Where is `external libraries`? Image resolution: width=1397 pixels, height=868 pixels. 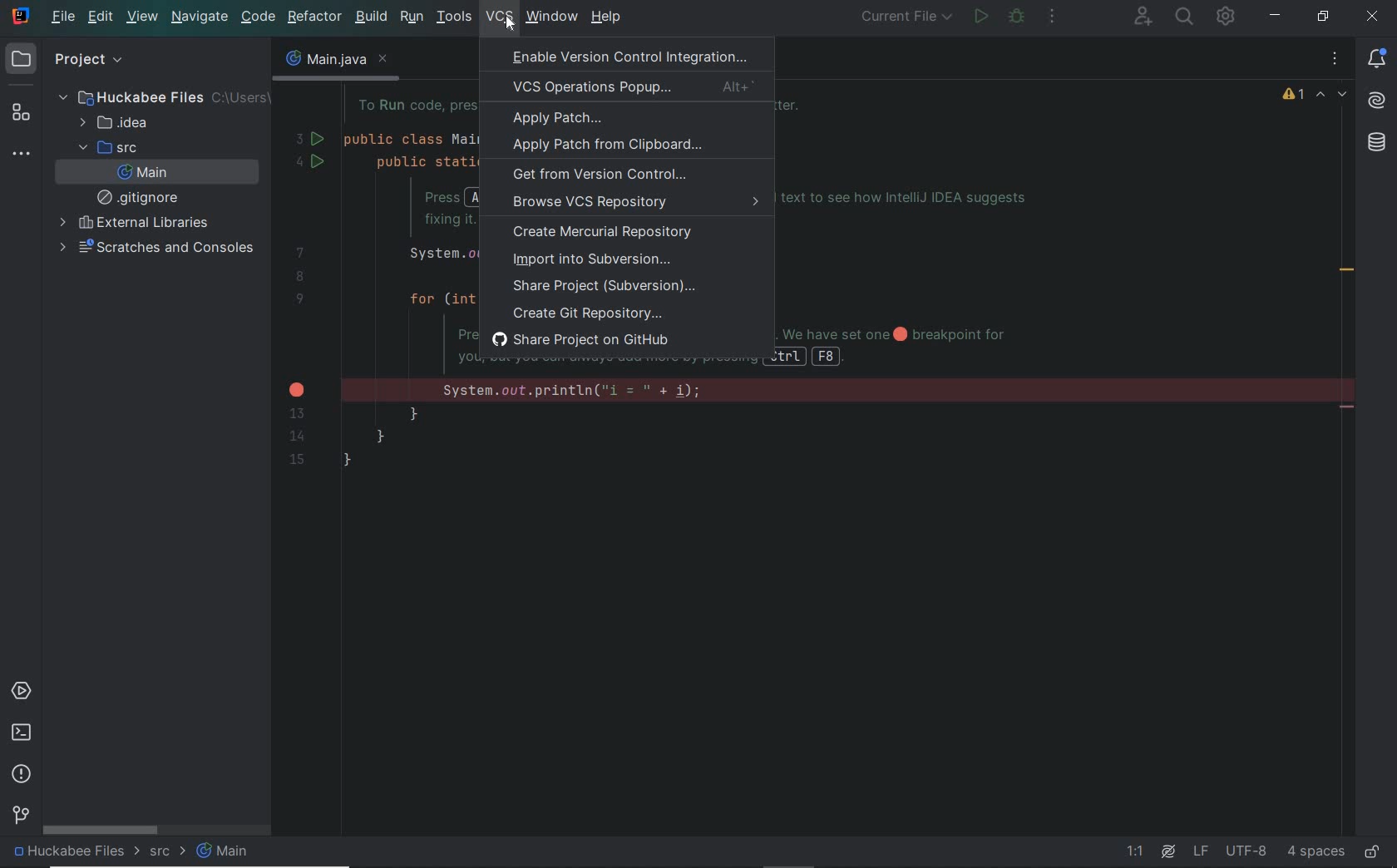
external libraries is located at coordinates (132, 223).